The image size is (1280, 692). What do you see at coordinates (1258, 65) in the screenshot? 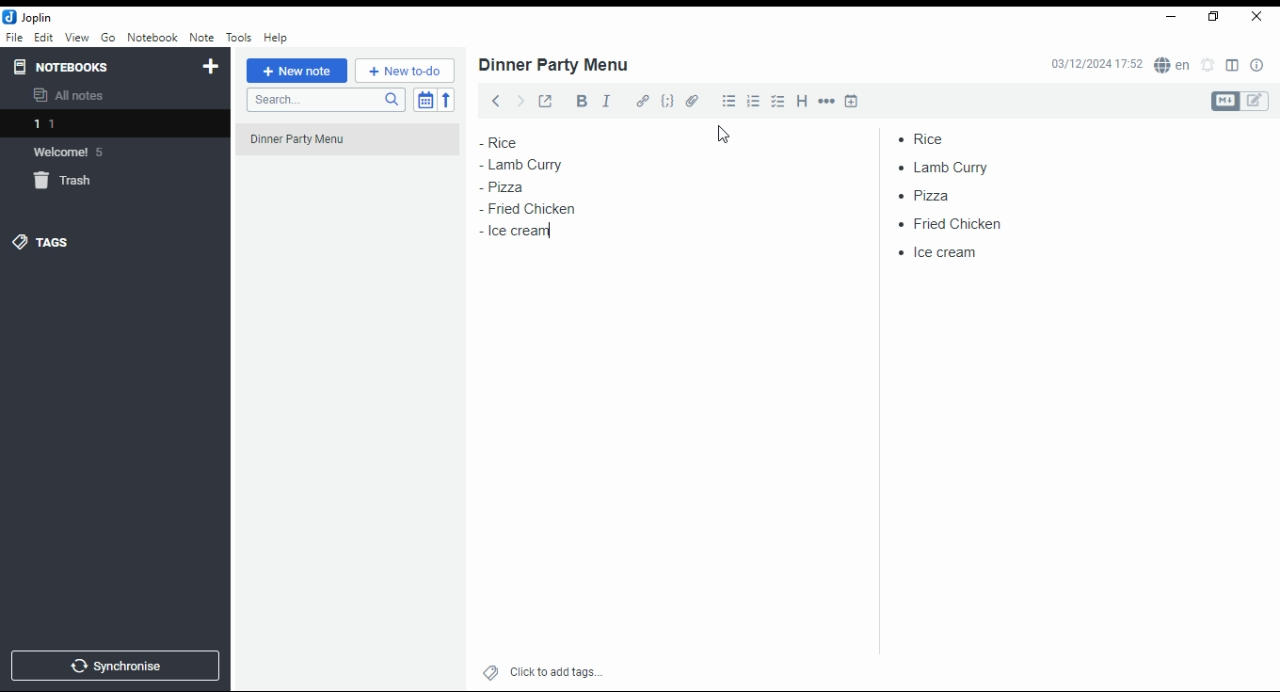
I see `notes properties` at bounding box center [1258, 65].